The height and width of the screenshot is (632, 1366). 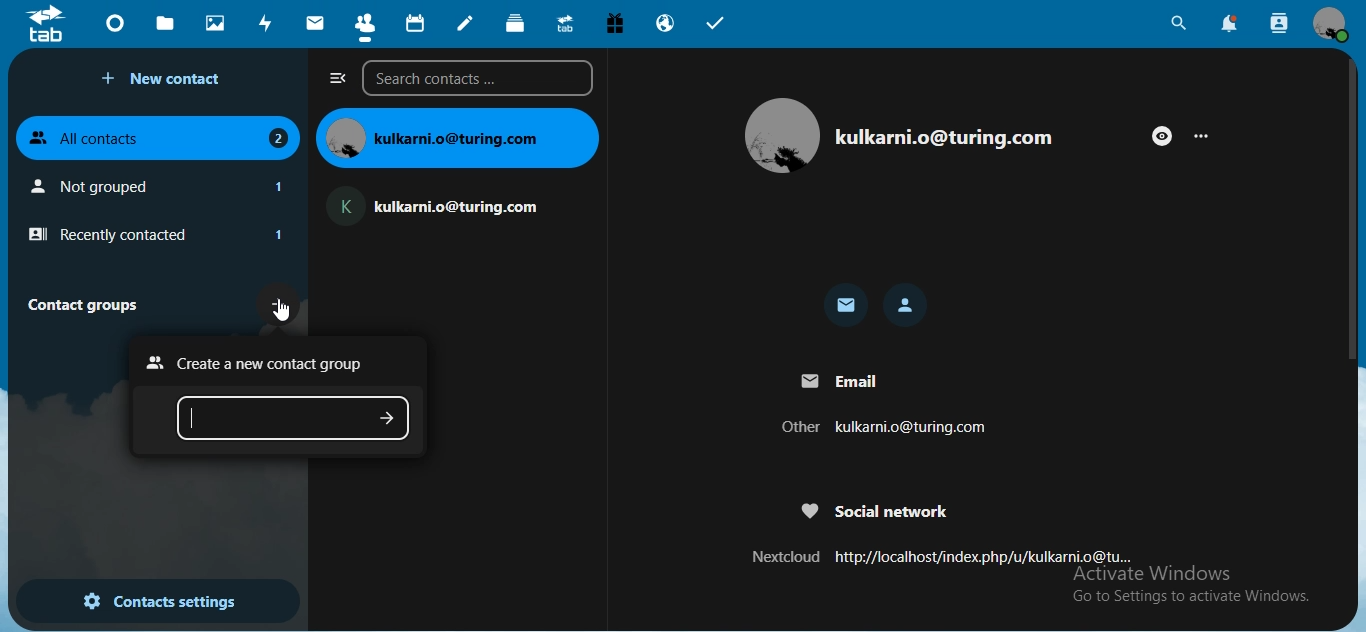 What do you see at coordinates (879, 429) in the screenshot?
I see `Other kulkami.o@turing.com` at bounding box center [879, 429].